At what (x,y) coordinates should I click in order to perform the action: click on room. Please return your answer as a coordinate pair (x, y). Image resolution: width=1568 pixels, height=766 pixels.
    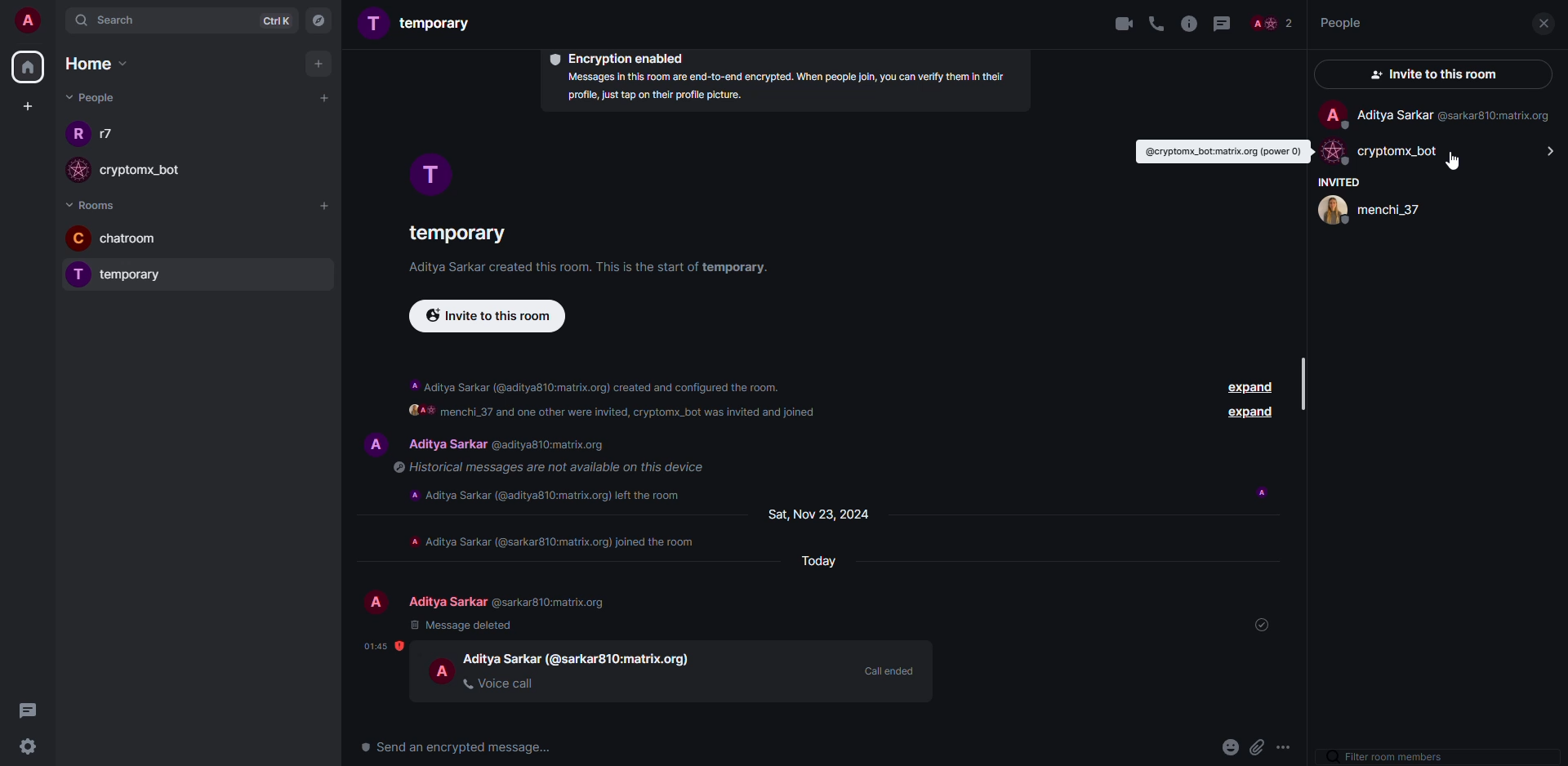
    Looking at the image, I should click on (145, 240).